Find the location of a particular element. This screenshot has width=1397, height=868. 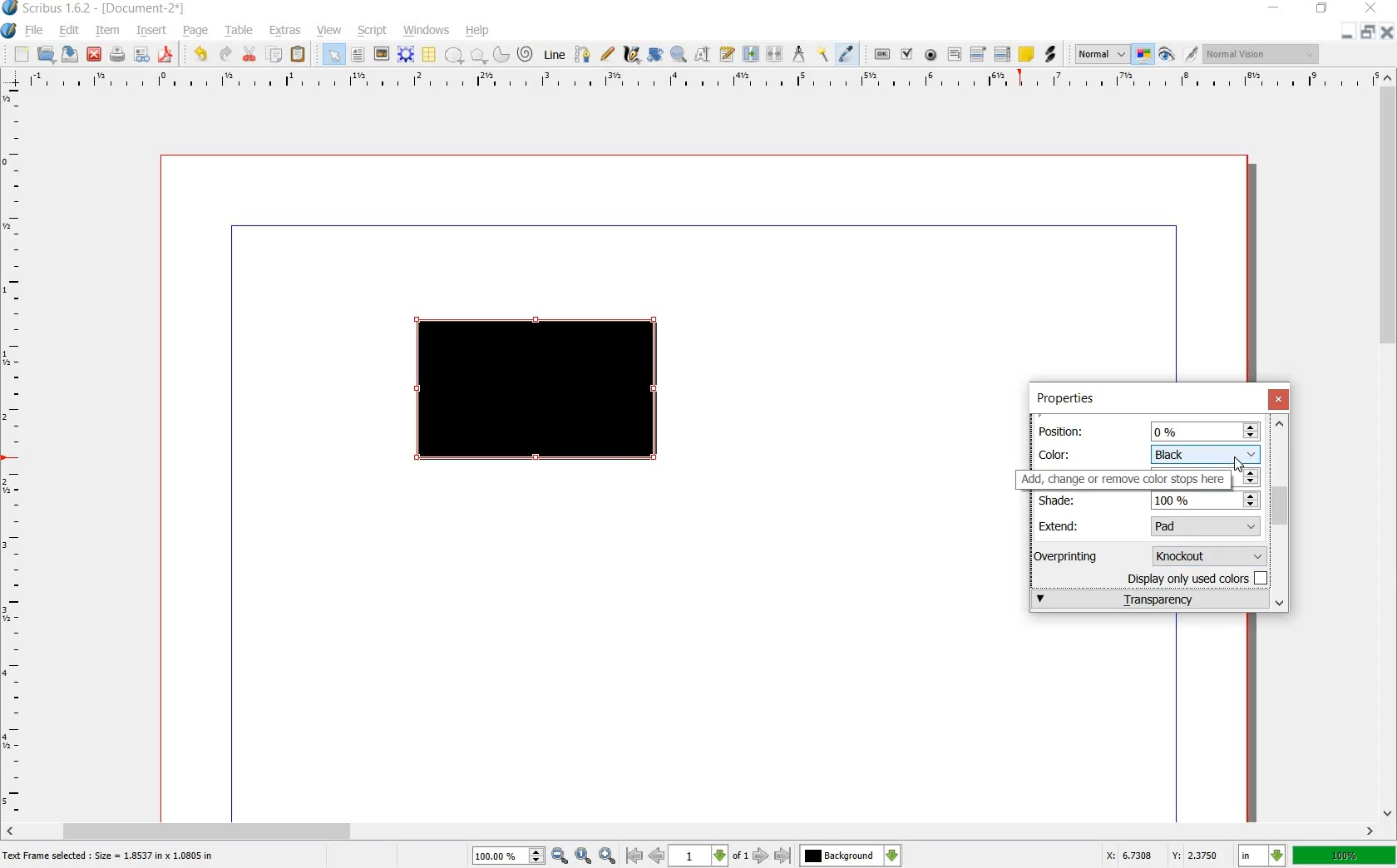

add change or remove color stops here is located at coordinates (1124, 479).